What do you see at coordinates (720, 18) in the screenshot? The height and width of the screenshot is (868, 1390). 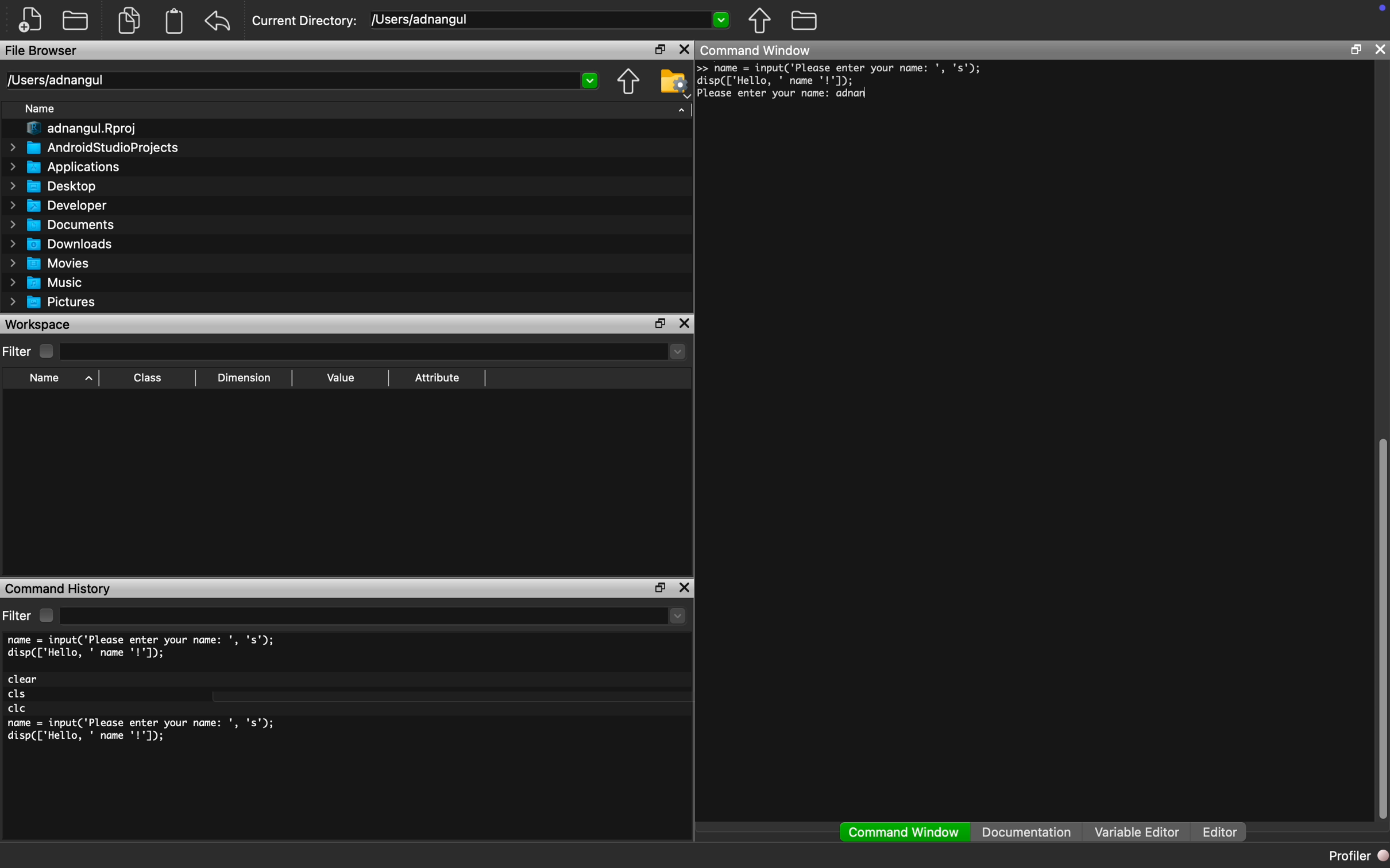 I see `dropdown` at bounding box center [720, 18].